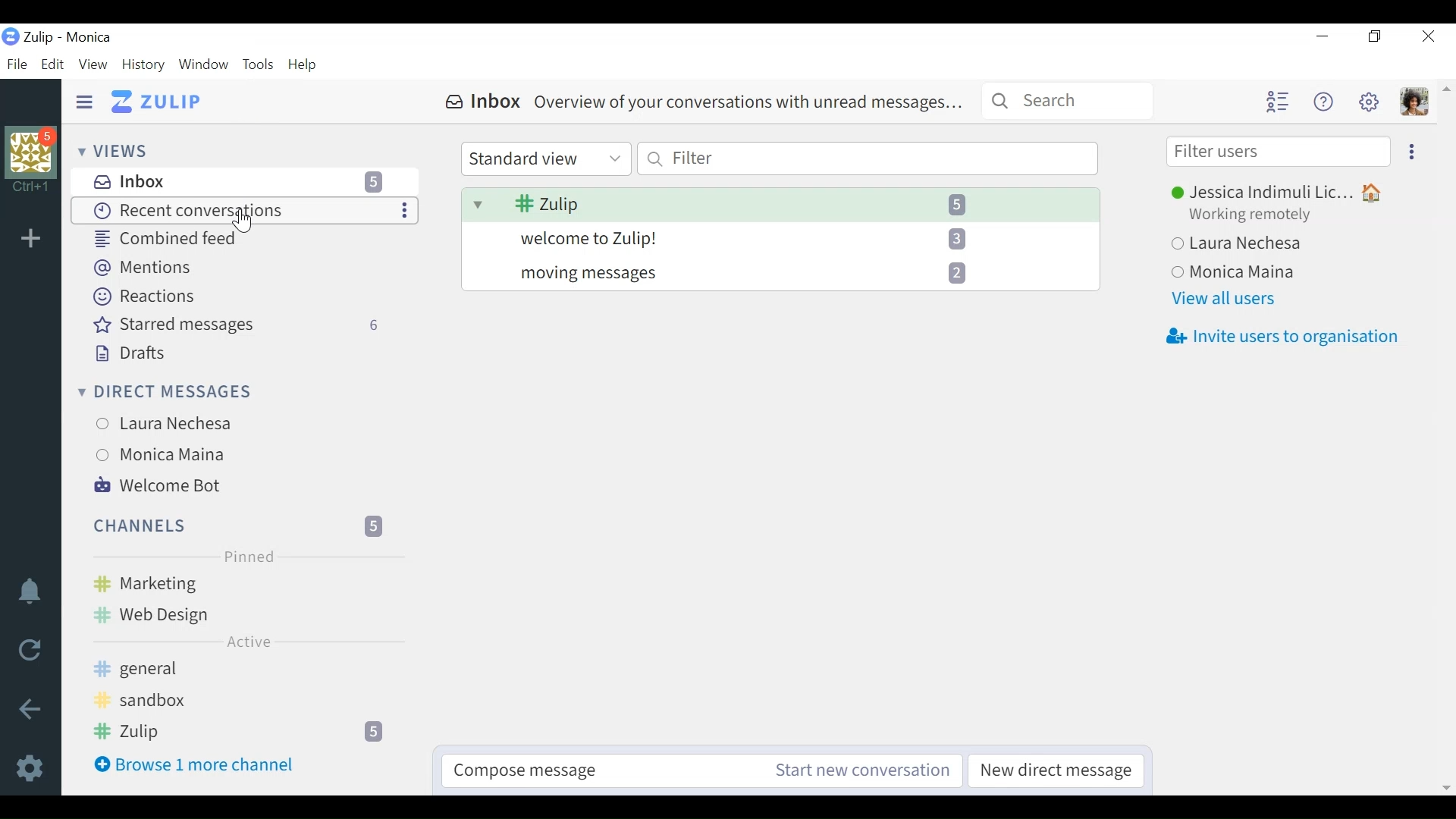  Describe the element at coordinates (236, 526) in the screenshot. I see `Channels` at that location.